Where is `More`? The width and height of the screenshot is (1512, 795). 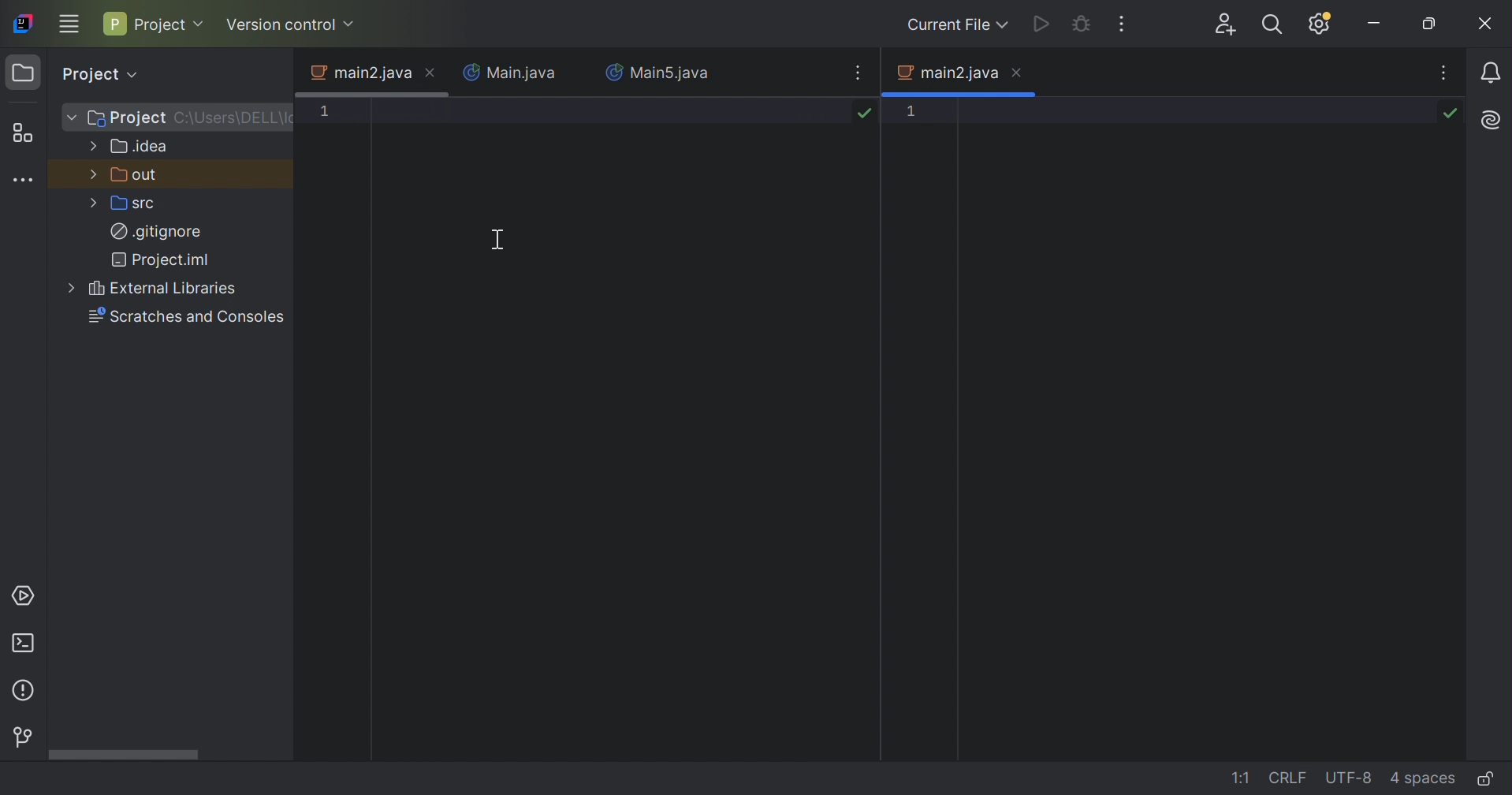
More is located at coordinates (94, 144).